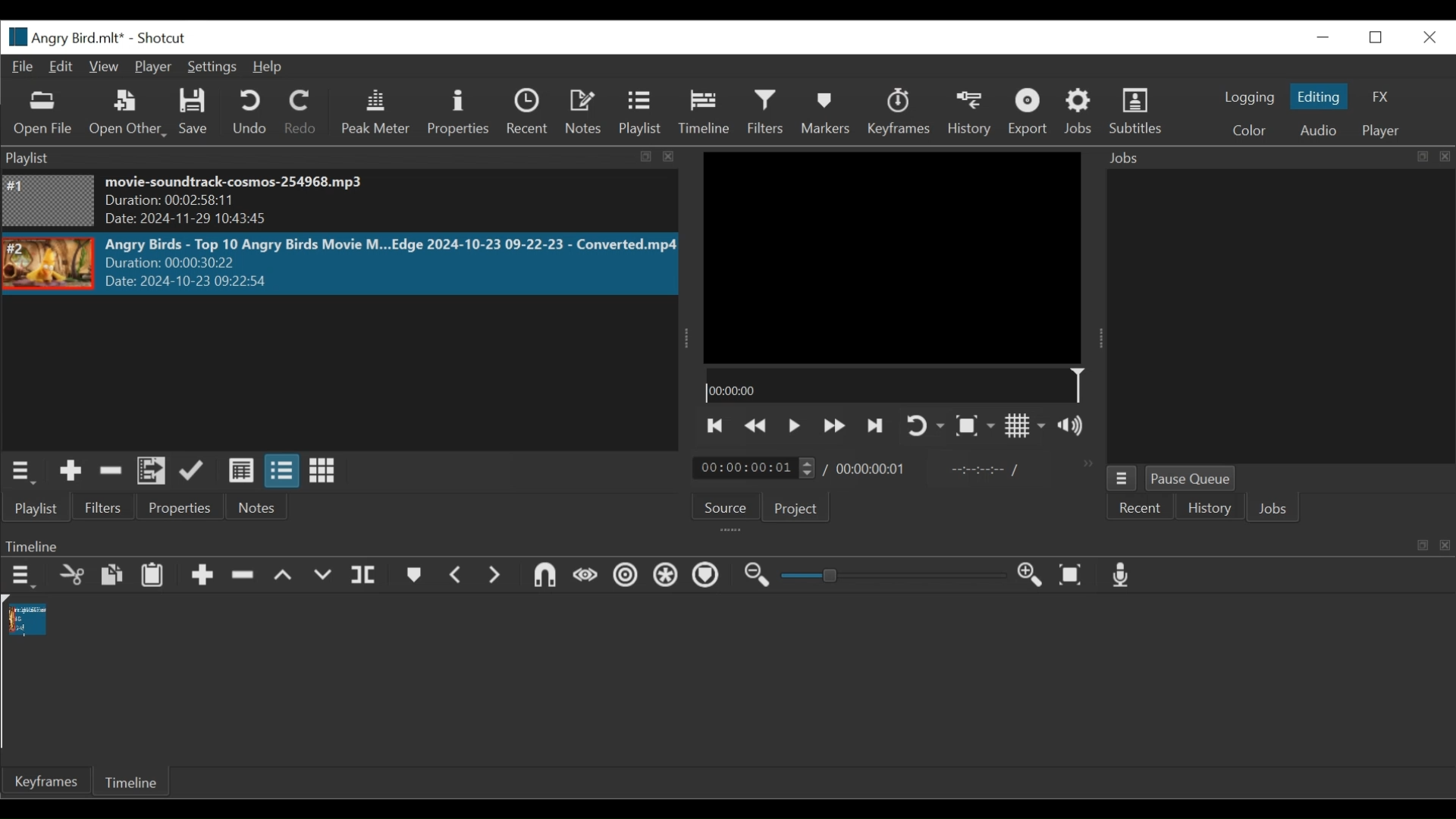 This screenshot has width=1456, height=819. I want to click on Source, so click(726, 508).